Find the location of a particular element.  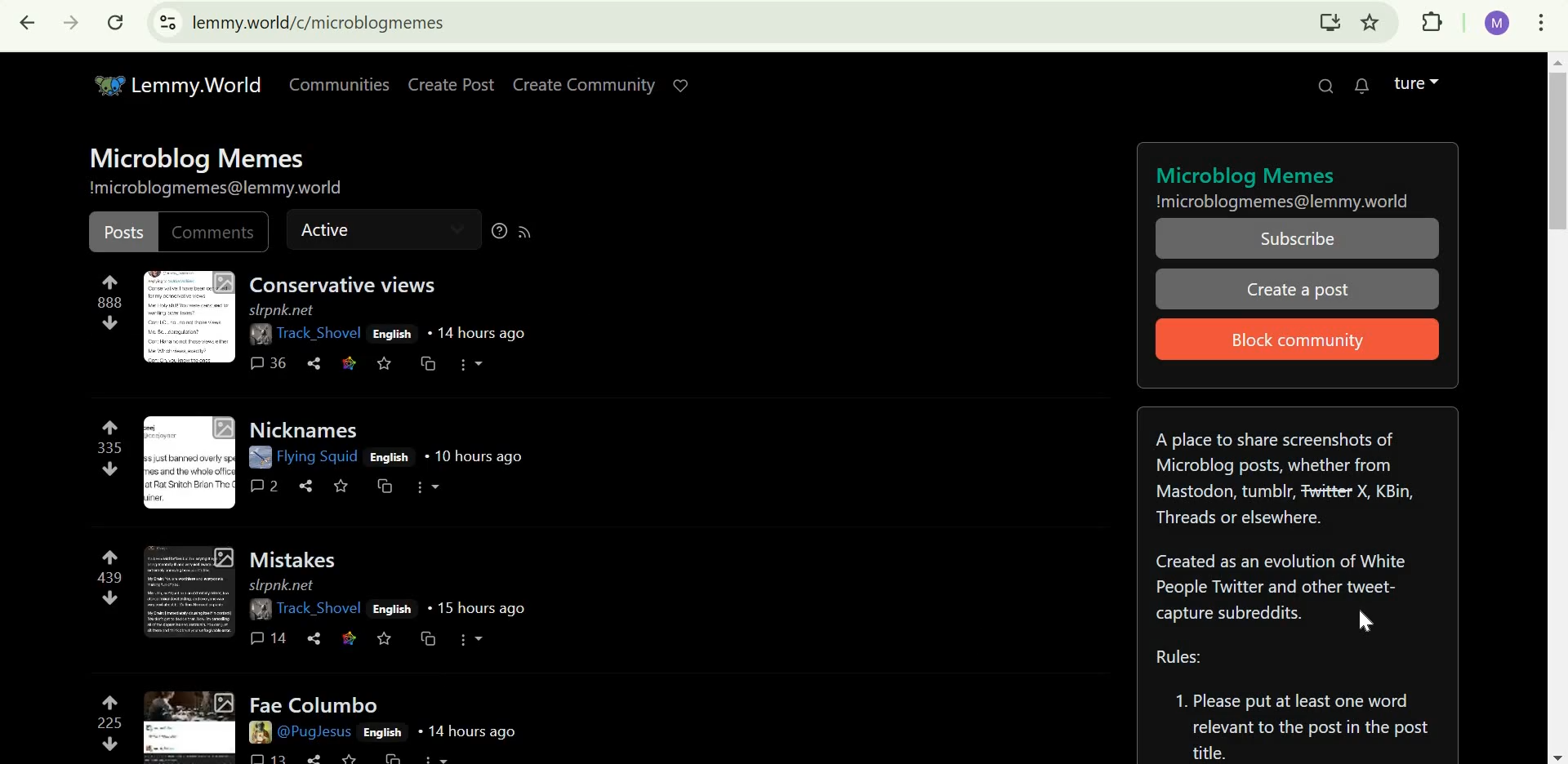

user id is located at coordinates (319, 609).